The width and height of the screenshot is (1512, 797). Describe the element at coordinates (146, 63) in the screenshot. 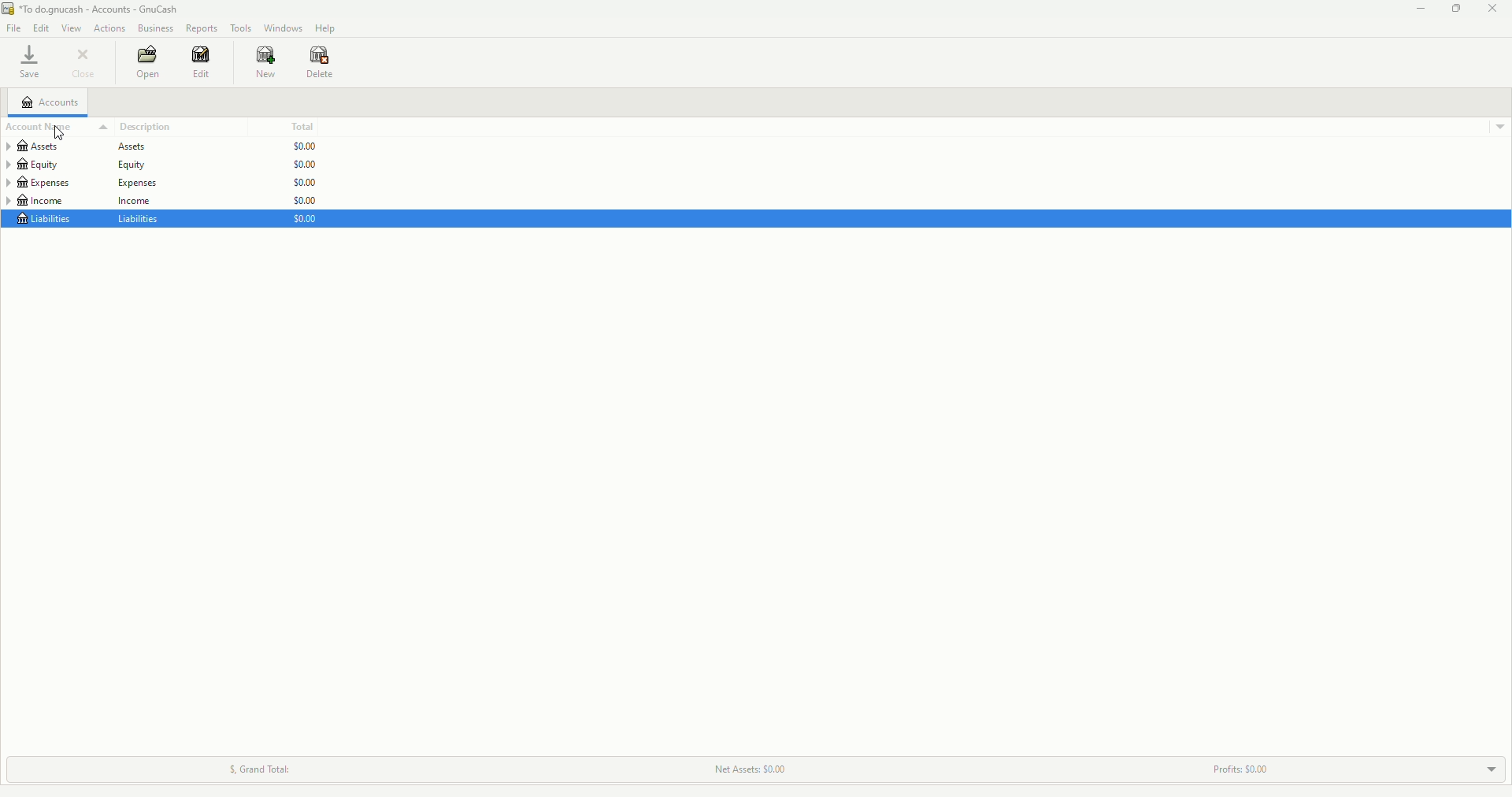

I see `Open` at that location.